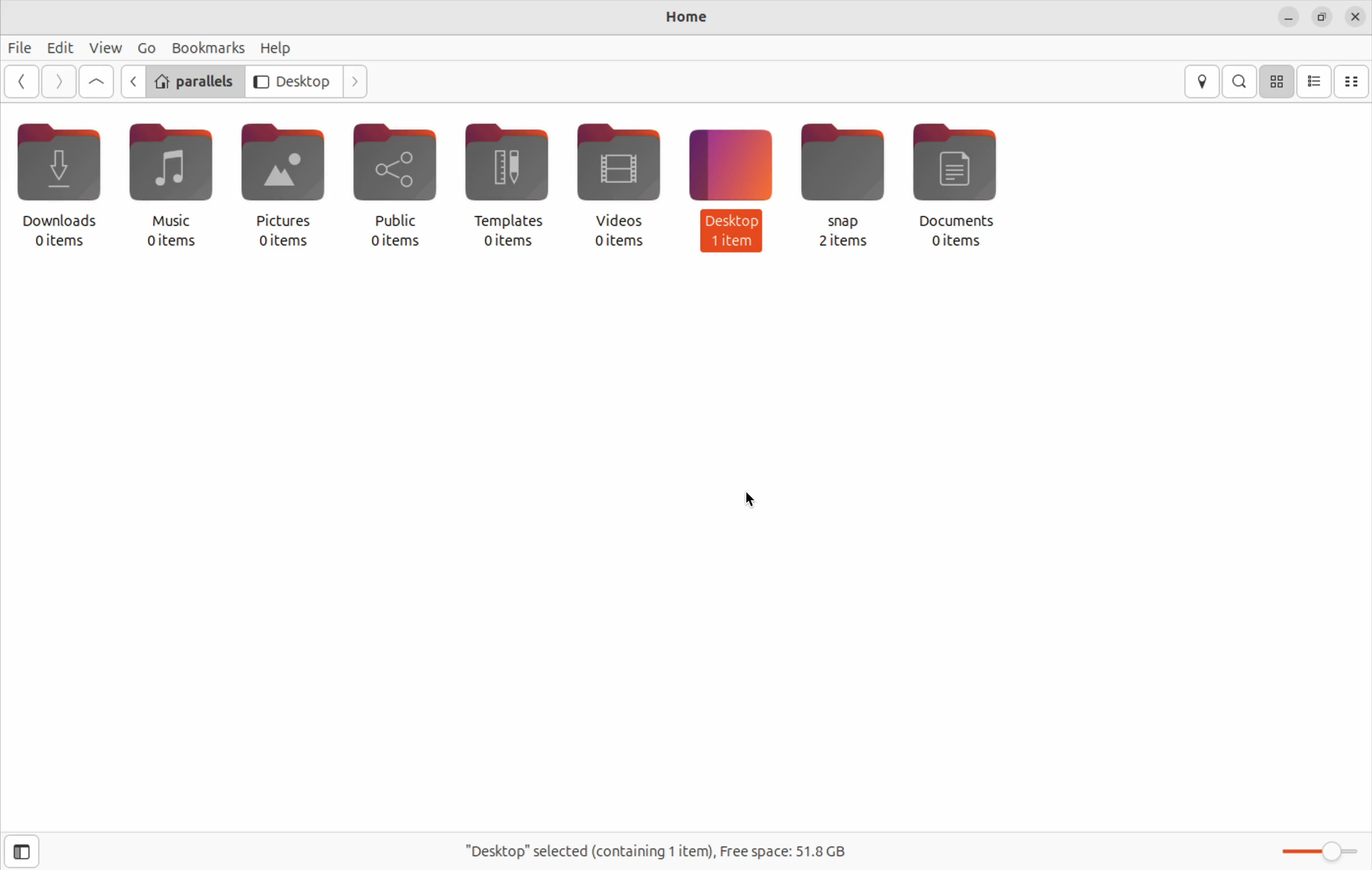 This screenshot has height=870, width=1372. I want to click on minimize, so click(1288, 17).